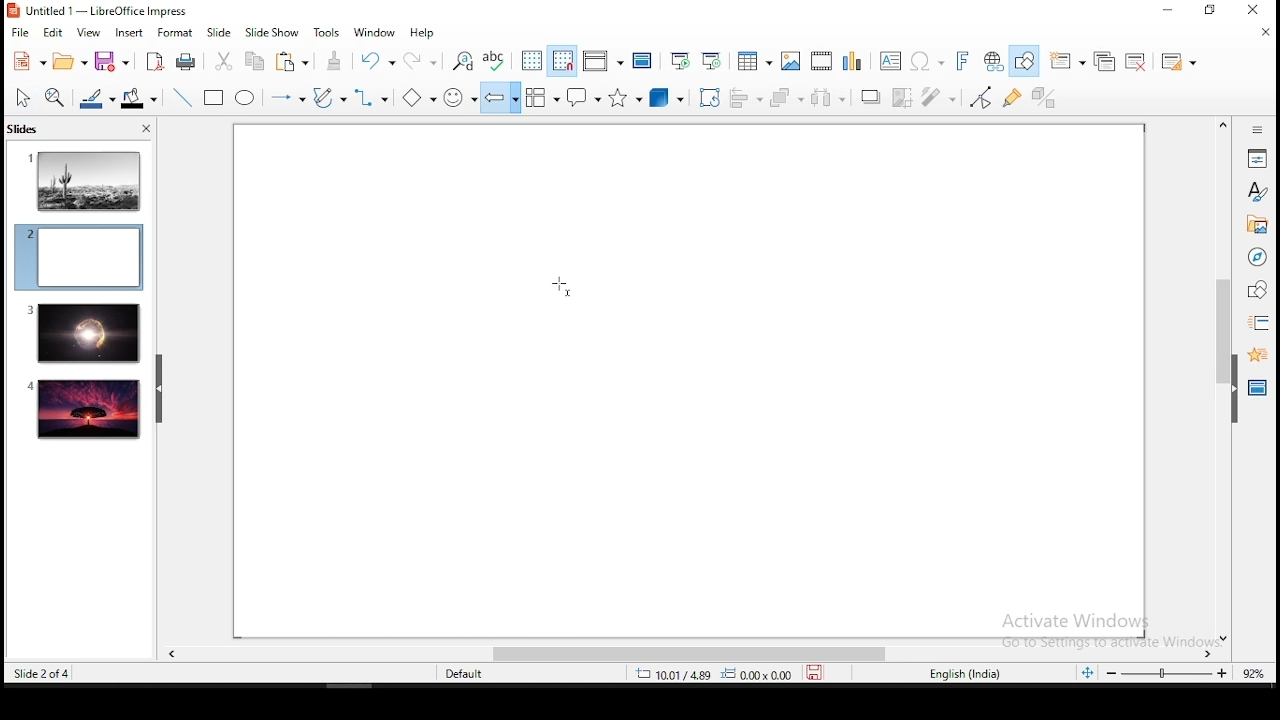  I want to click on crop tool, so click(710, 98).